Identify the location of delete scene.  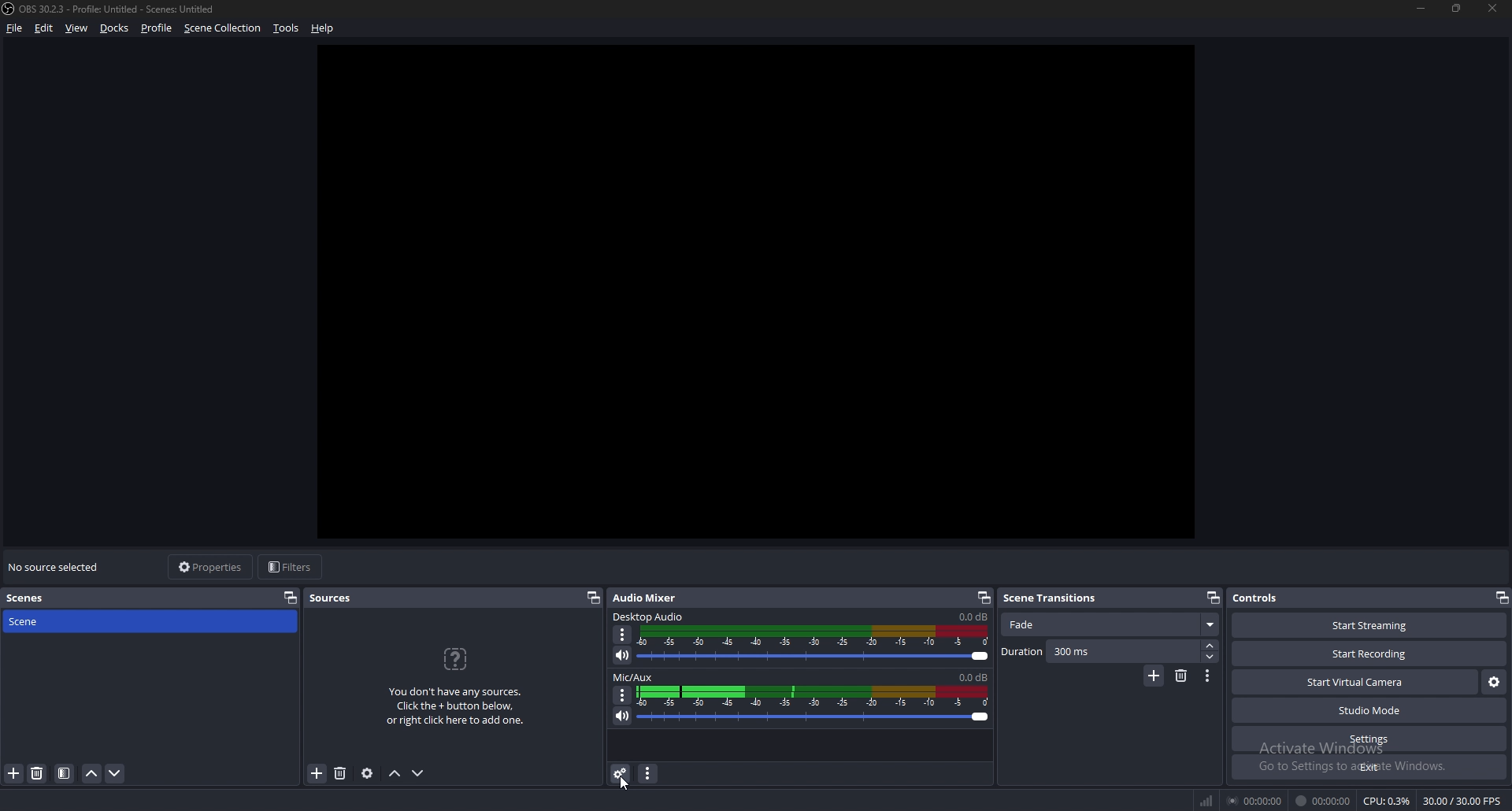
(39, 774).